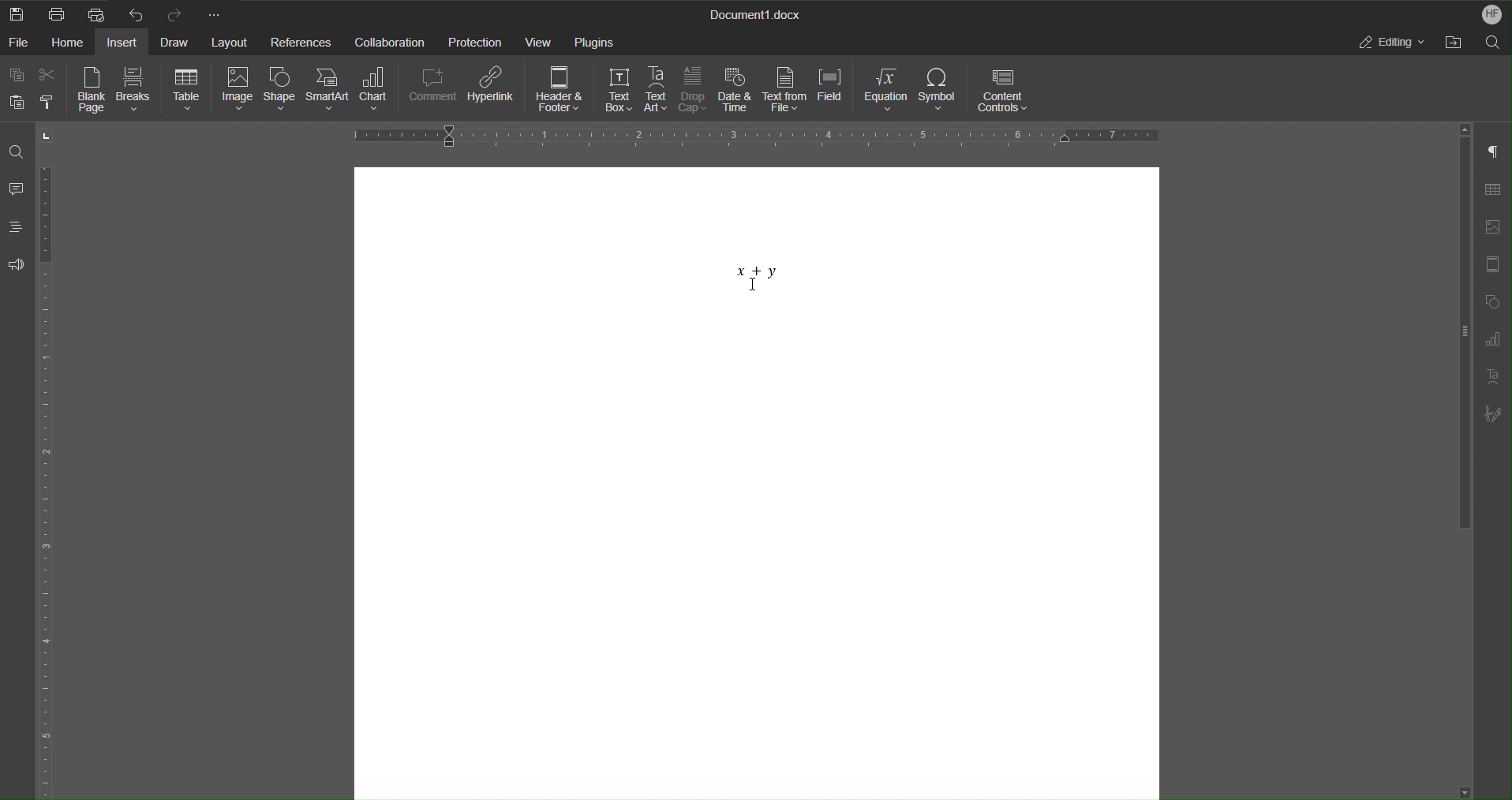  Describe the element at coordinates (376, 90) in the screenshot. I see `Chart` at that location.